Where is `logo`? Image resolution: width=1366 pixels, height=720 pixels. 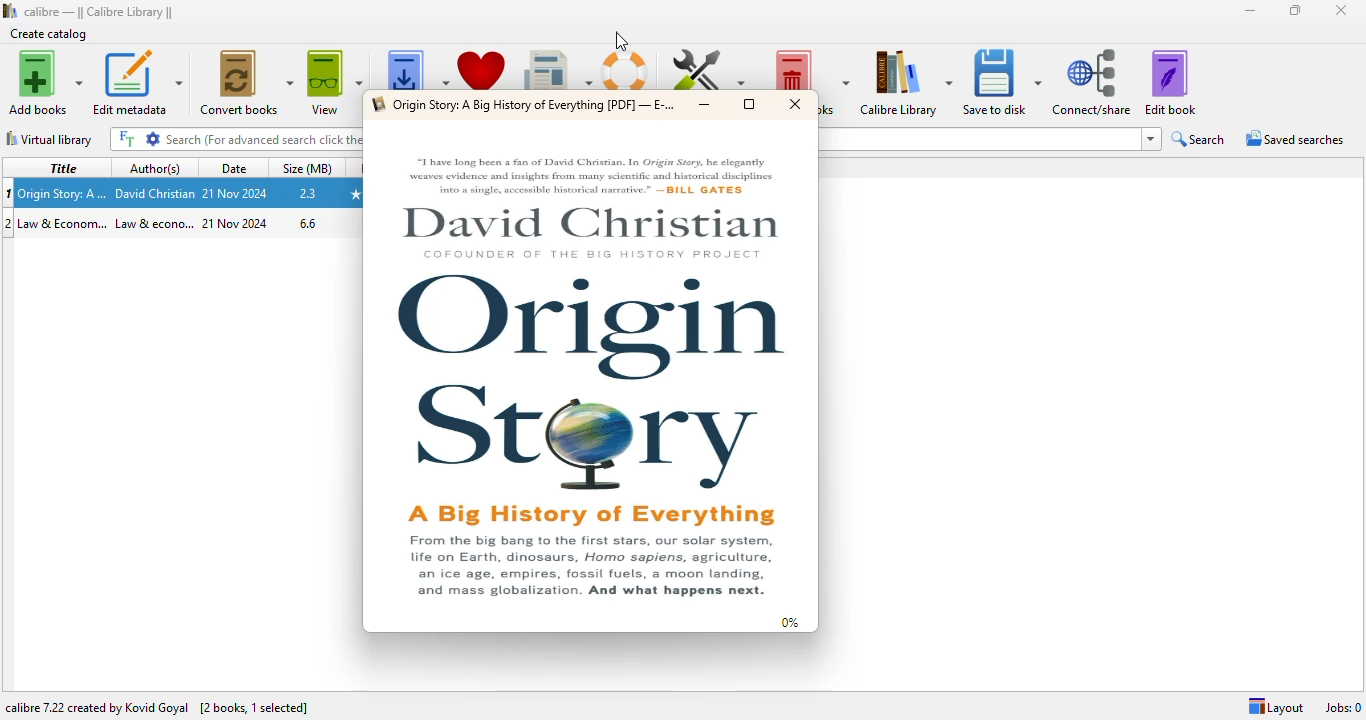
logo is located at coordinates (10, 11).